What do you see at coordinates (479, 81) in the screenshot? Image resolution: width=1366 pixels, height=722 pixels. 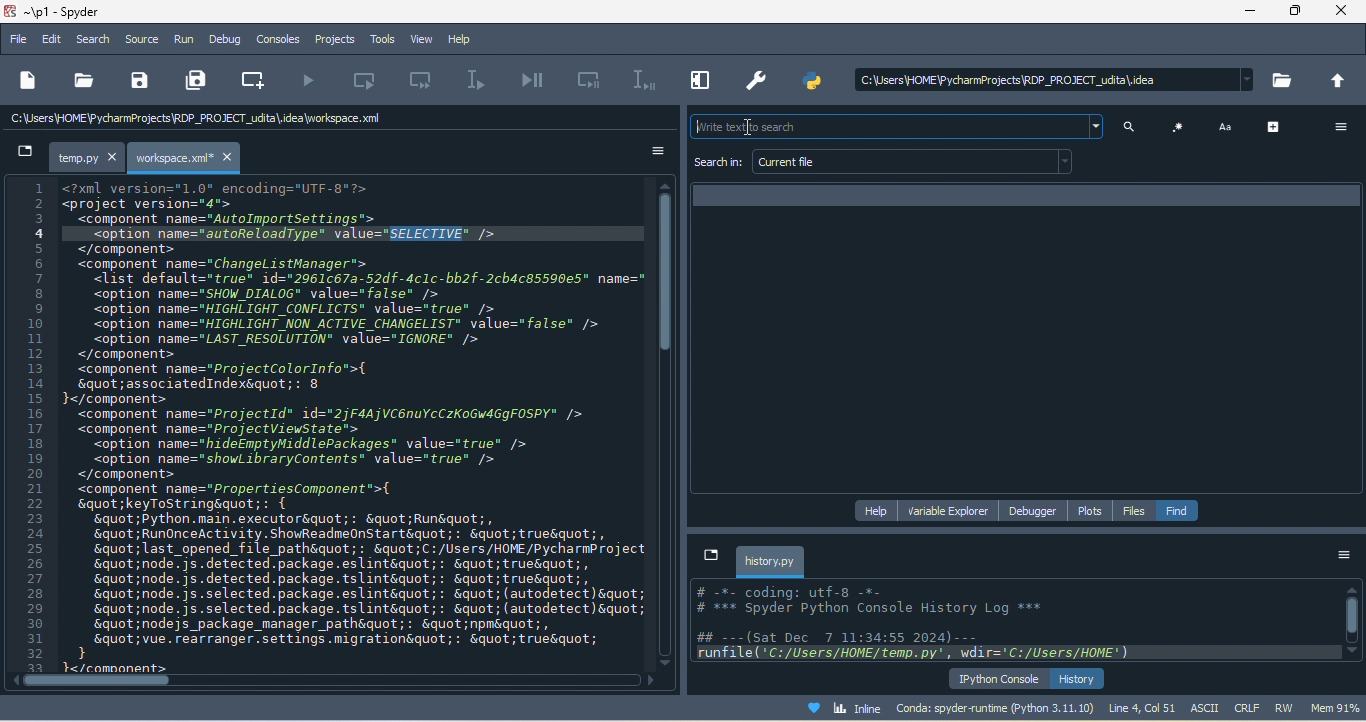 I see `current line` at bounding box center [479, 81].